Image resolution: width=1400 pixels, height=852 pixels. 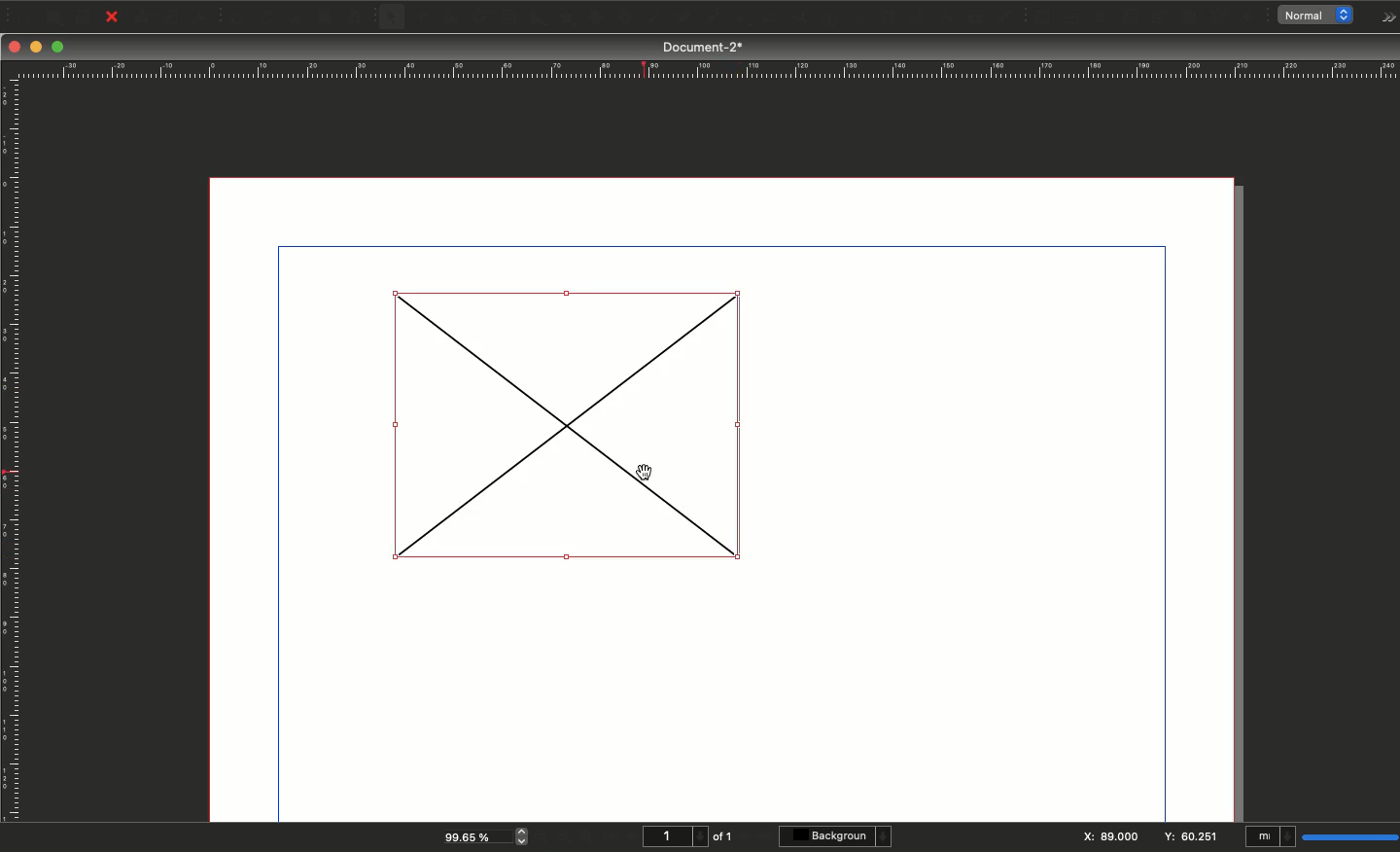 What do you see at coordinates (507, 18) in the screenshot?
I see `Table` at bounding box center [507, 18].